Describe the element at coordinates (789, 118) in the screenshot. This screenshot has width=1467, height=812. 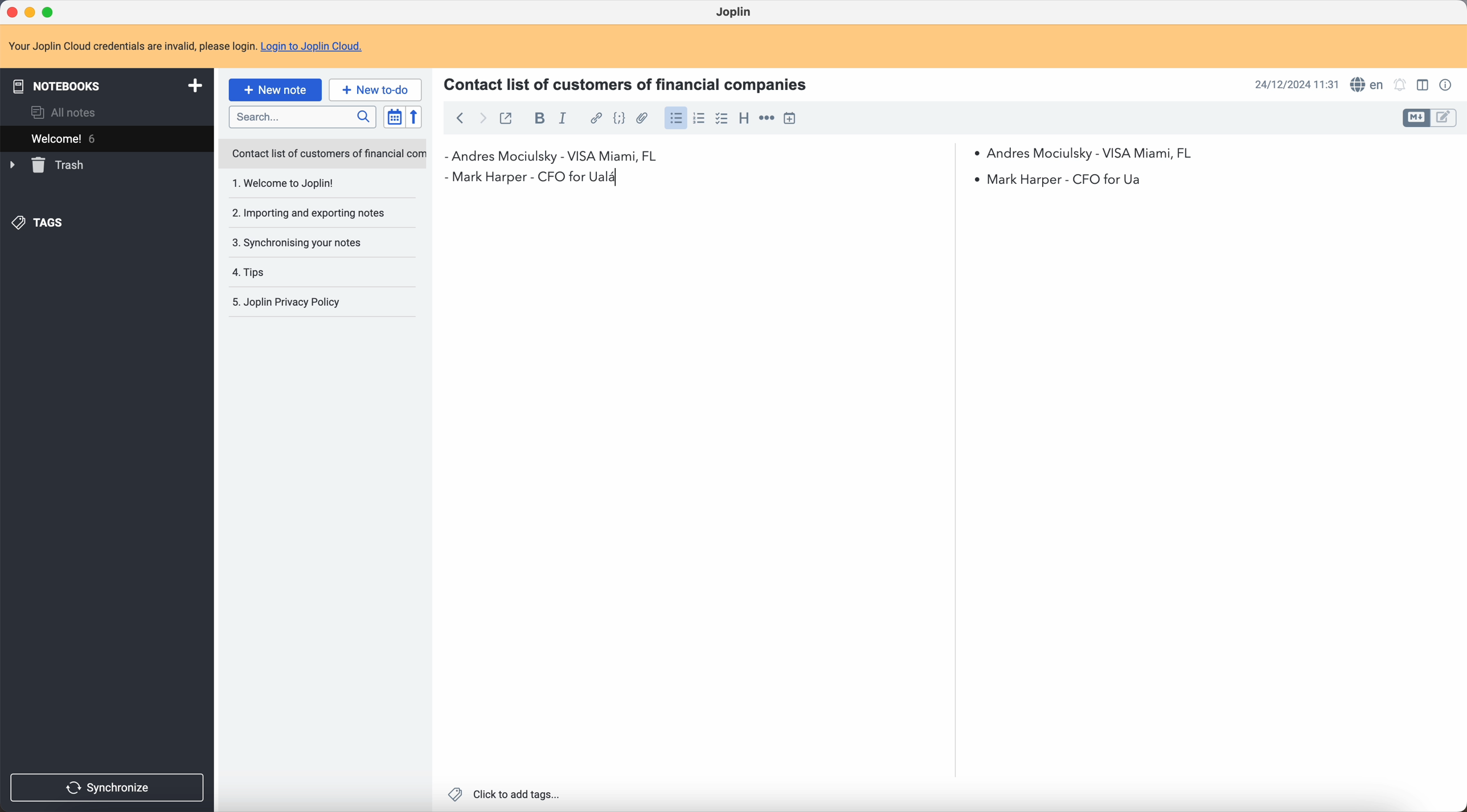
I see `insert time` at that location.